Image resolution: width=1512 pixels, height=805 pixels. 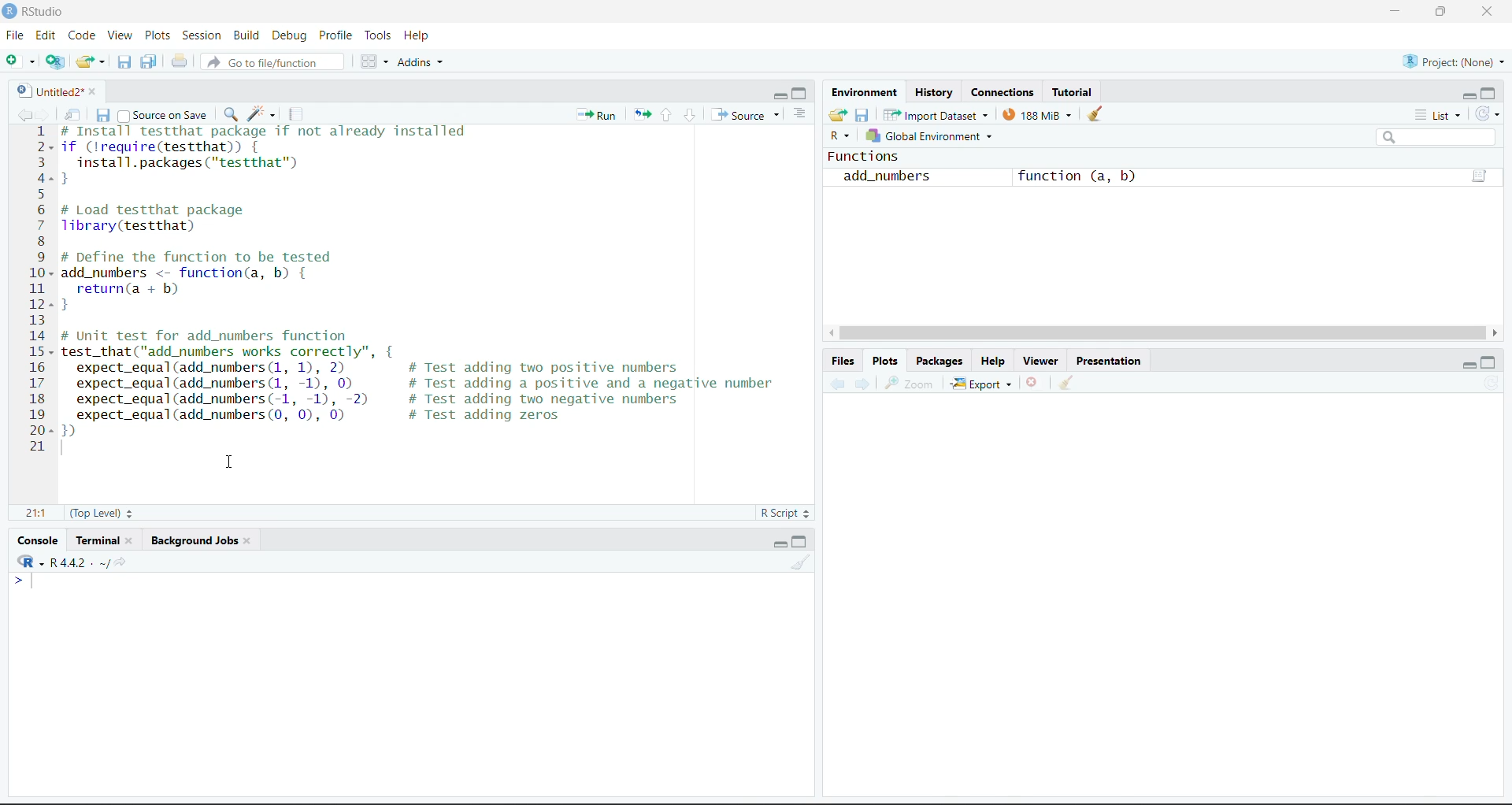 I want to click on workspace panes, so click(x=374, y=62).